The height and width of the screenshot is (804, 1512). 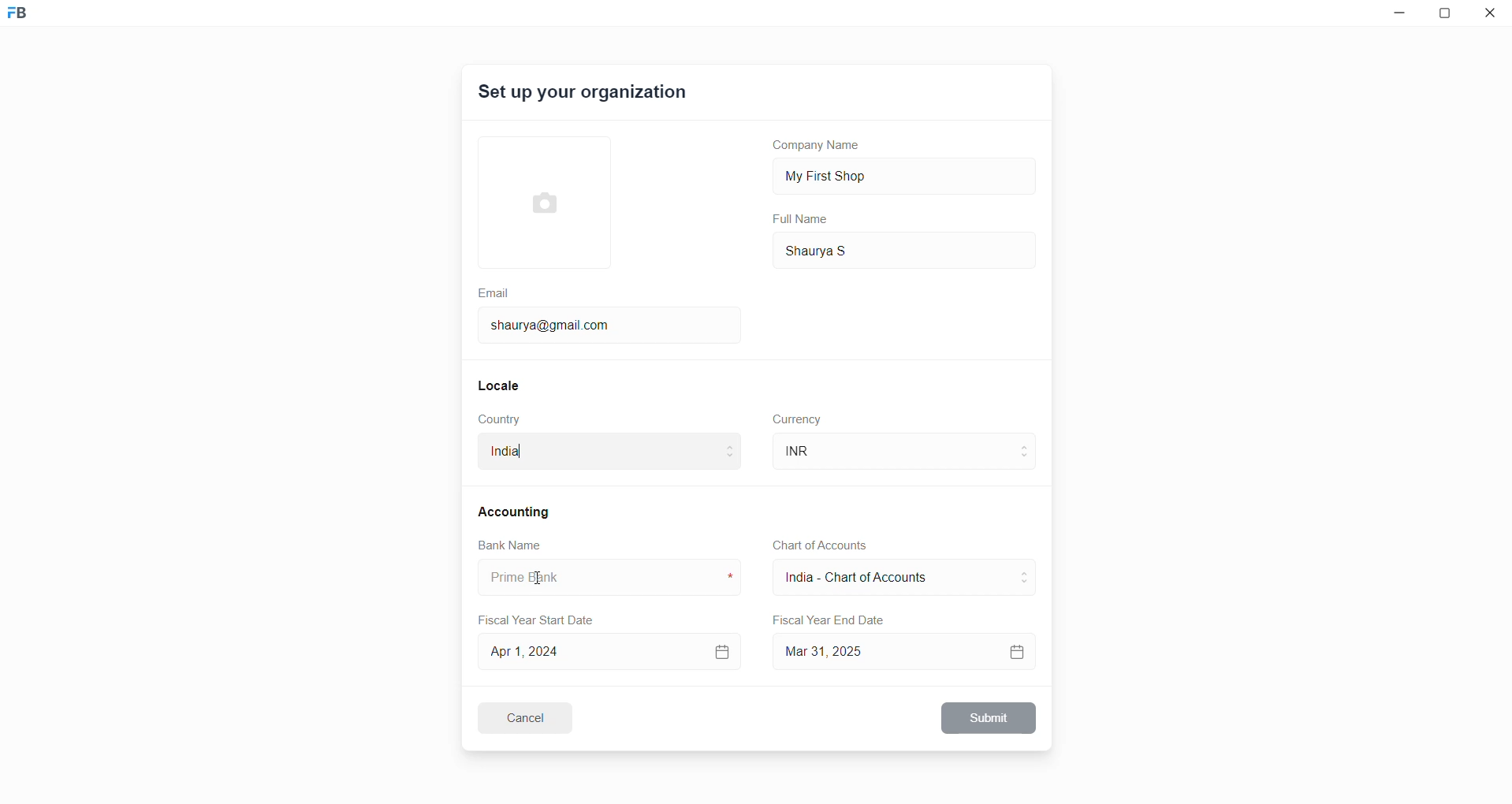 I want to click on Cancel , so click(x=535, y=717).